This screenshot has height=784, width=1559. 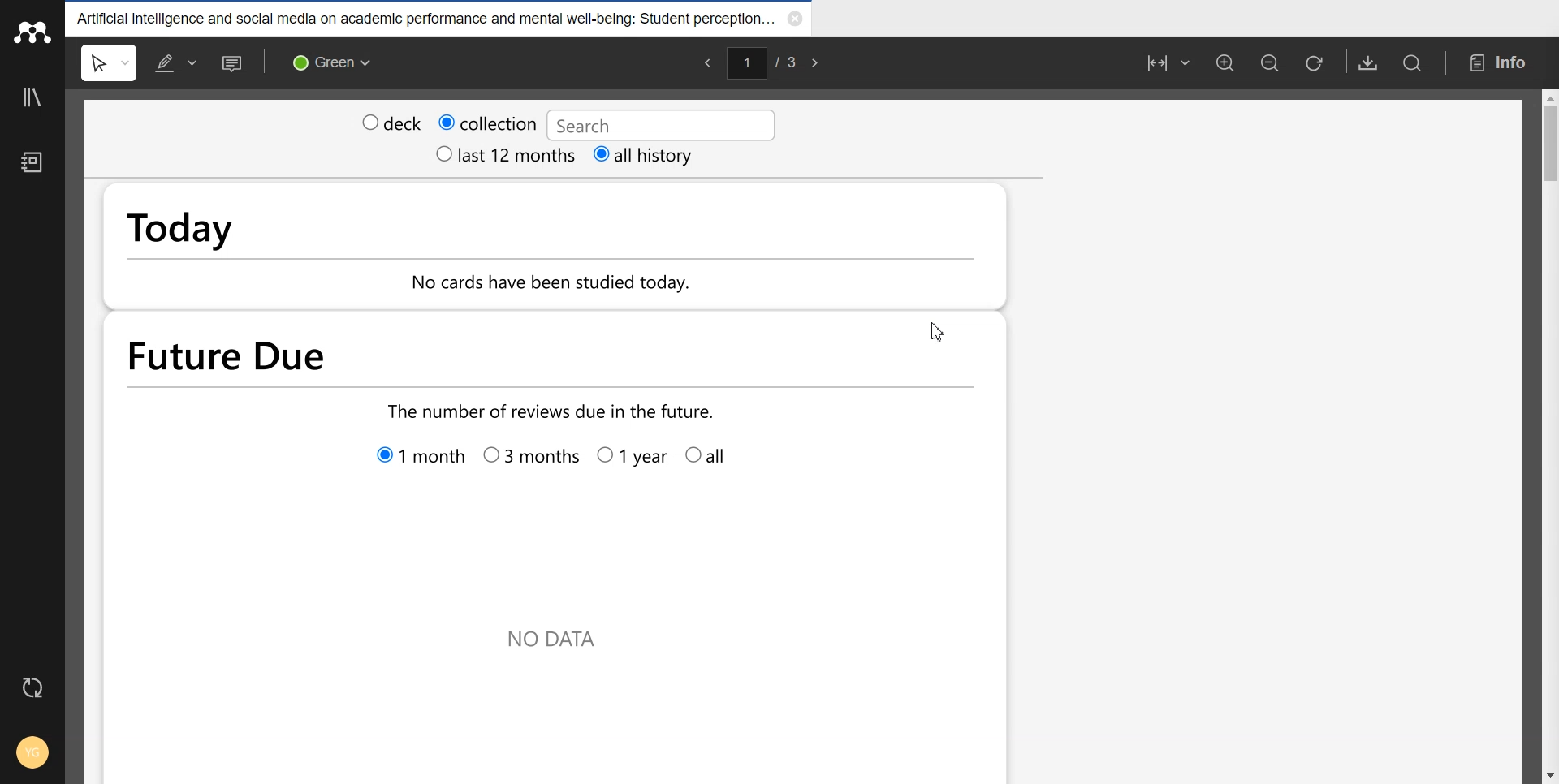 What do you see at coordinates (939, 330) in the screenshot?
I see `Cursor` at bounding box center [939, 330].